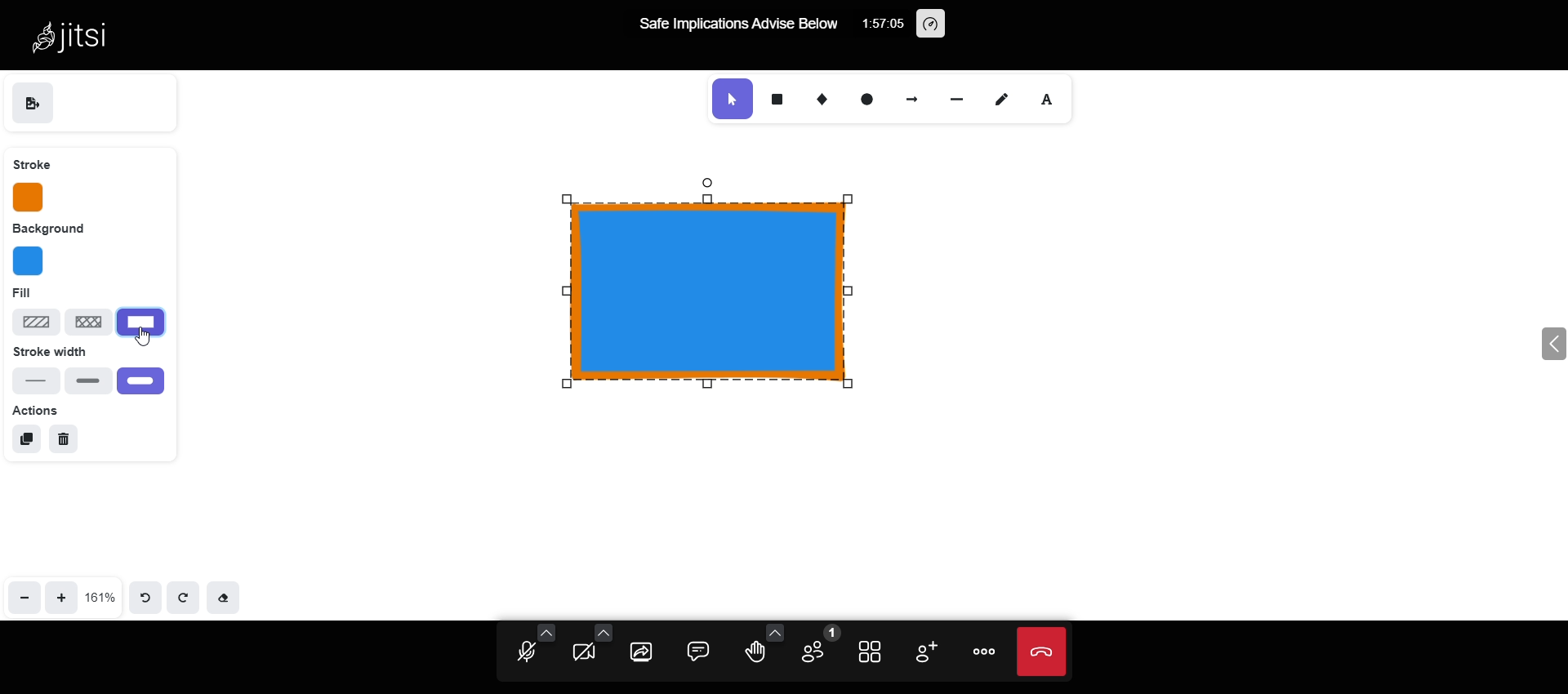 Image resolution: width=1568 pixels, height=694 pixels. Describe the element at coordinates (915, 98) in the screenshot. I see `arrow` at that location.